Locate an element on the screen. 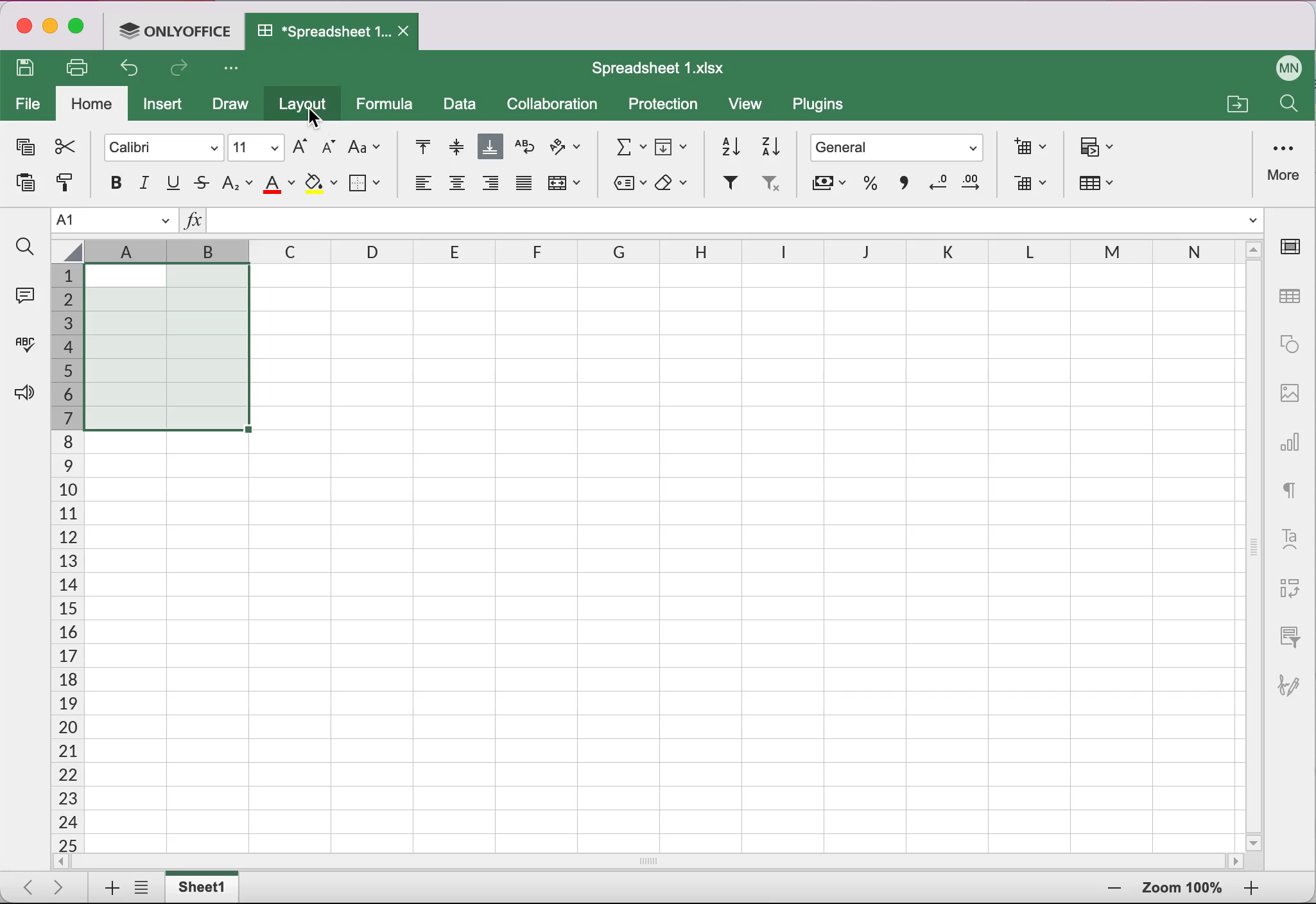 Image resolution: width=1316 pixels, height=904 pixels. more is located at coordinates (1286, 161).